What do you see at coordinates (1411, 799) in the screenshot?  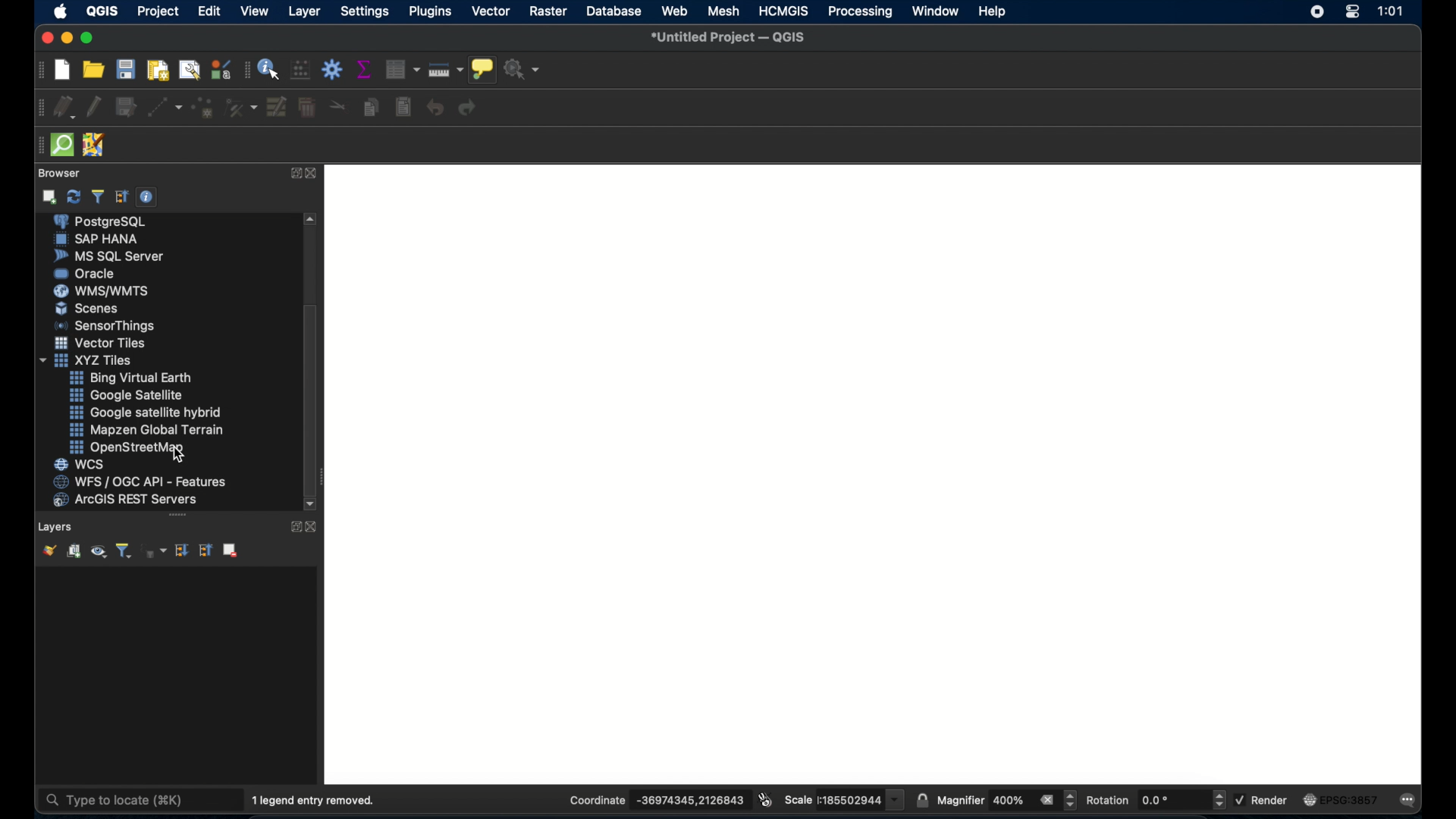 I see `messages` at bounding box center [1411, 799].